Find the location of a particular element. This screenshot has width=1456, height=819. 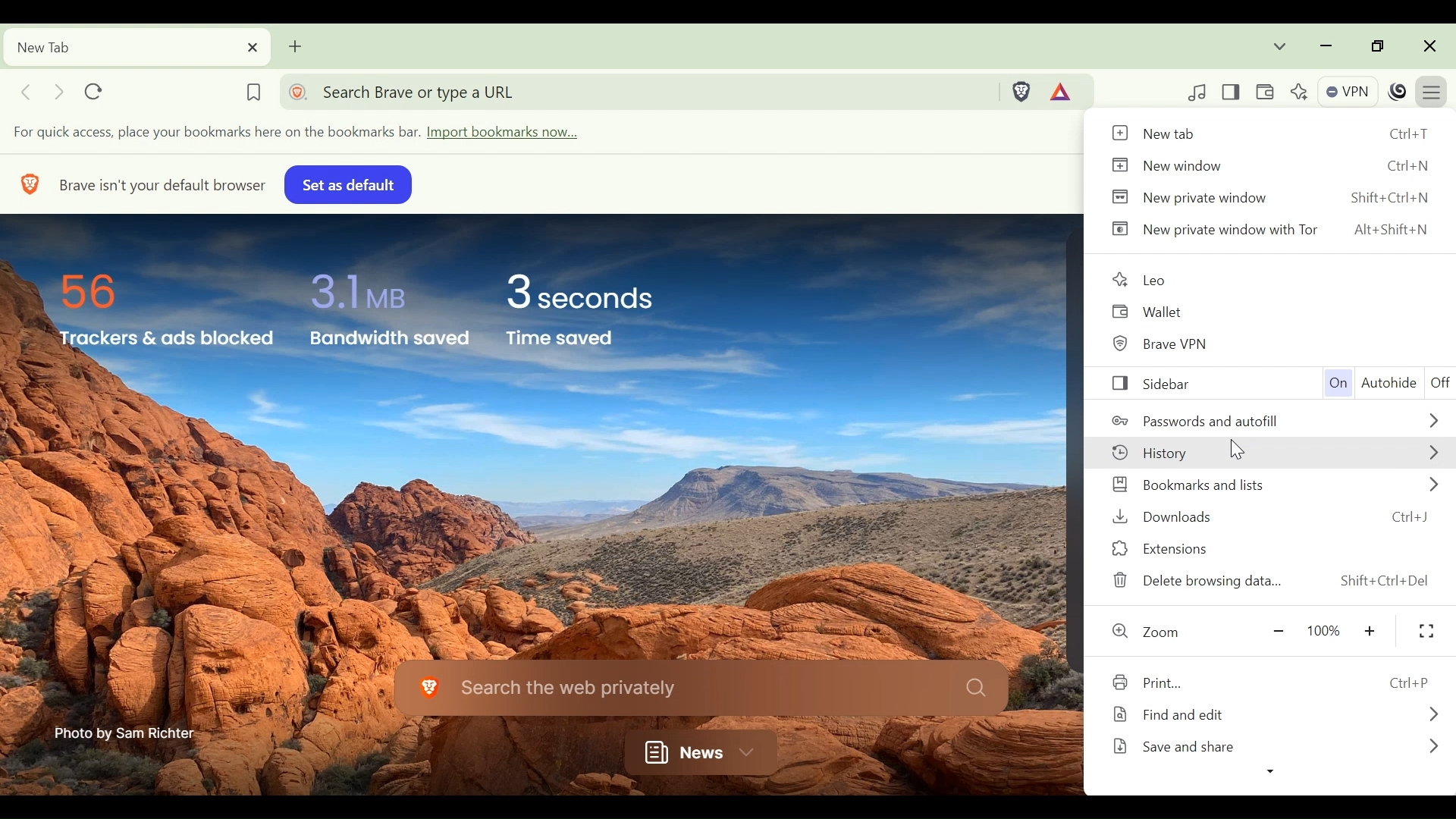

Save and share is located at coordinates (1273, 750).